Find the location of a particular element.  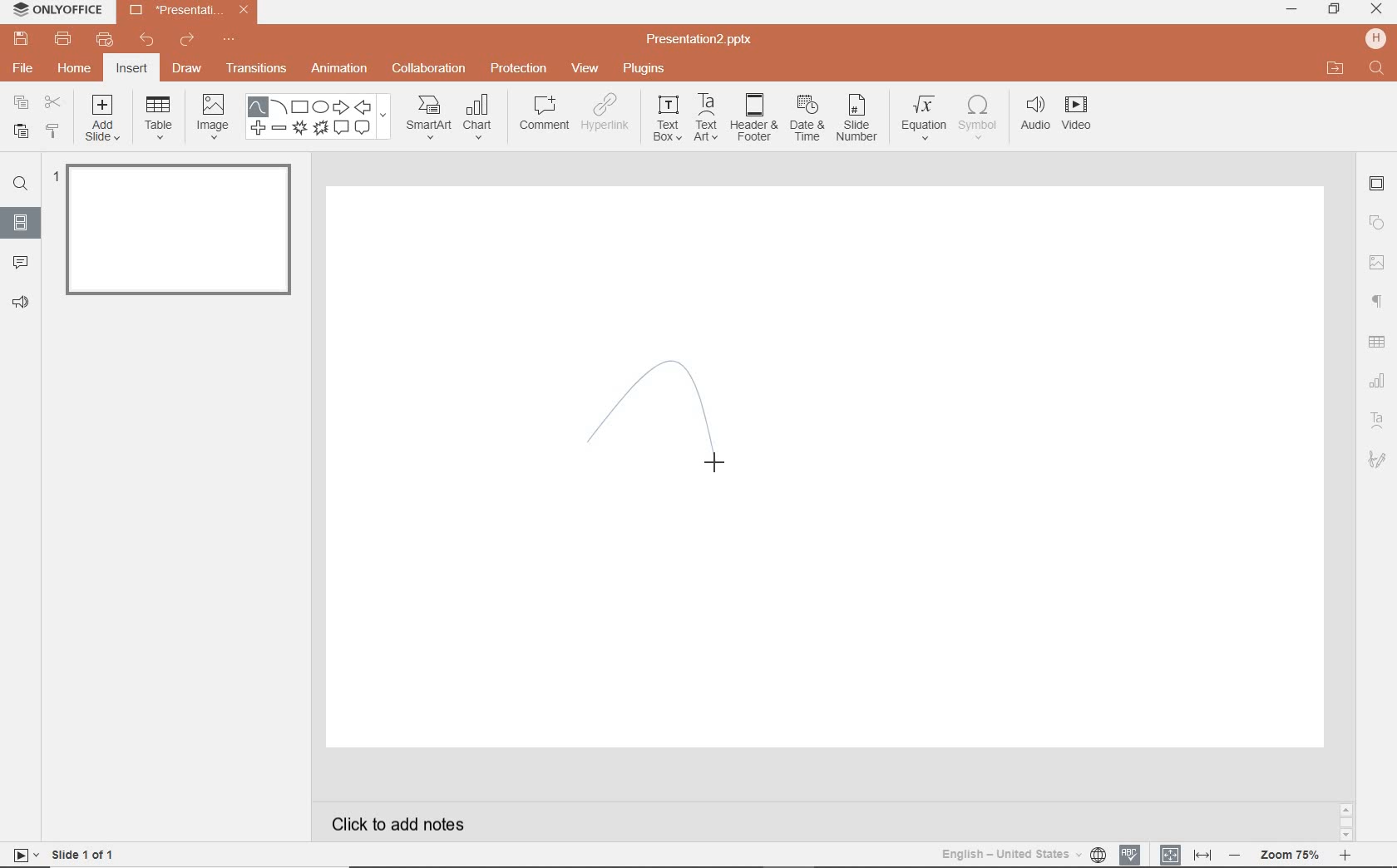

PLUGINS is located at coordinates (644, 69).